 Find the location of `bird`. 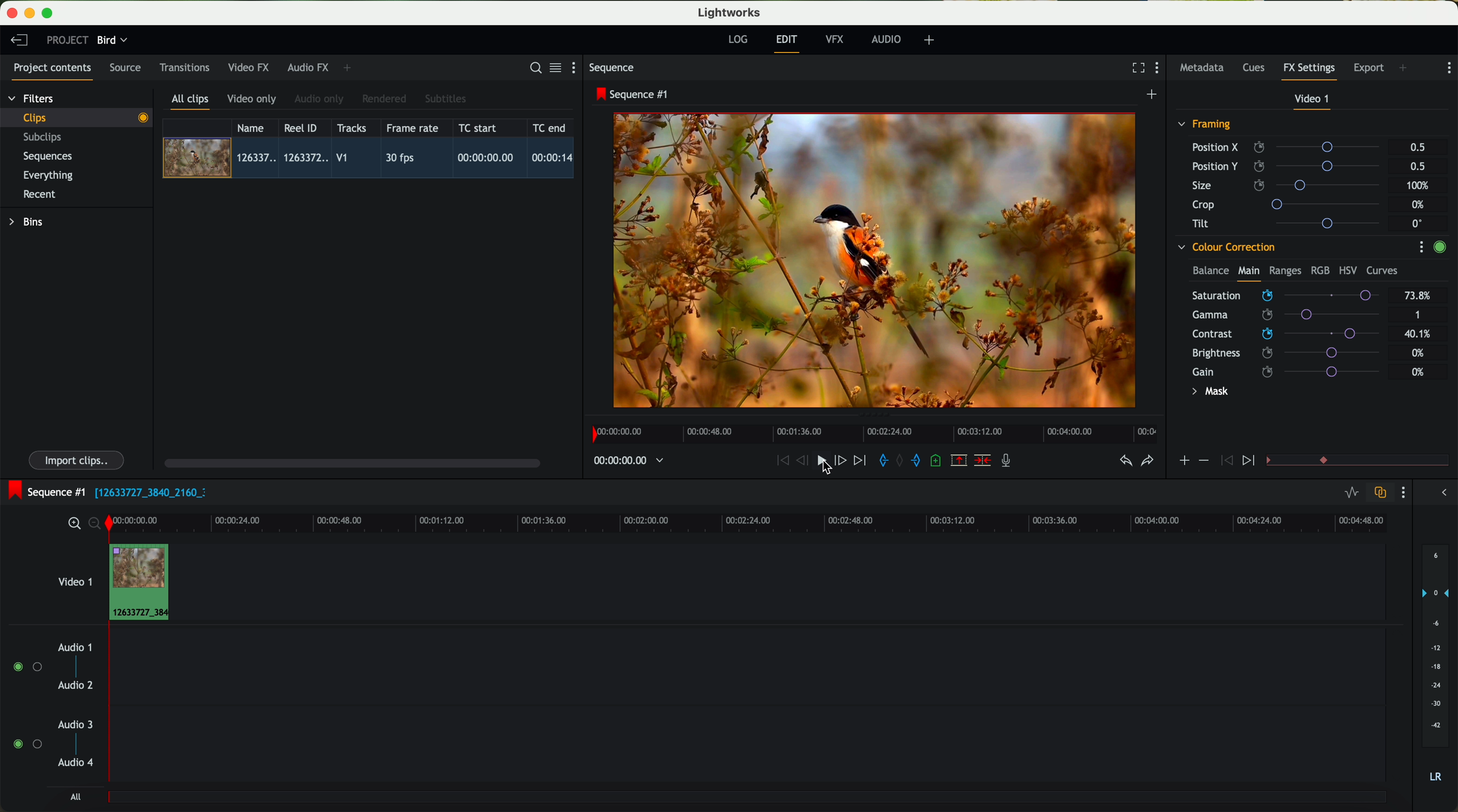

bird is located at coordinates (112, 41).